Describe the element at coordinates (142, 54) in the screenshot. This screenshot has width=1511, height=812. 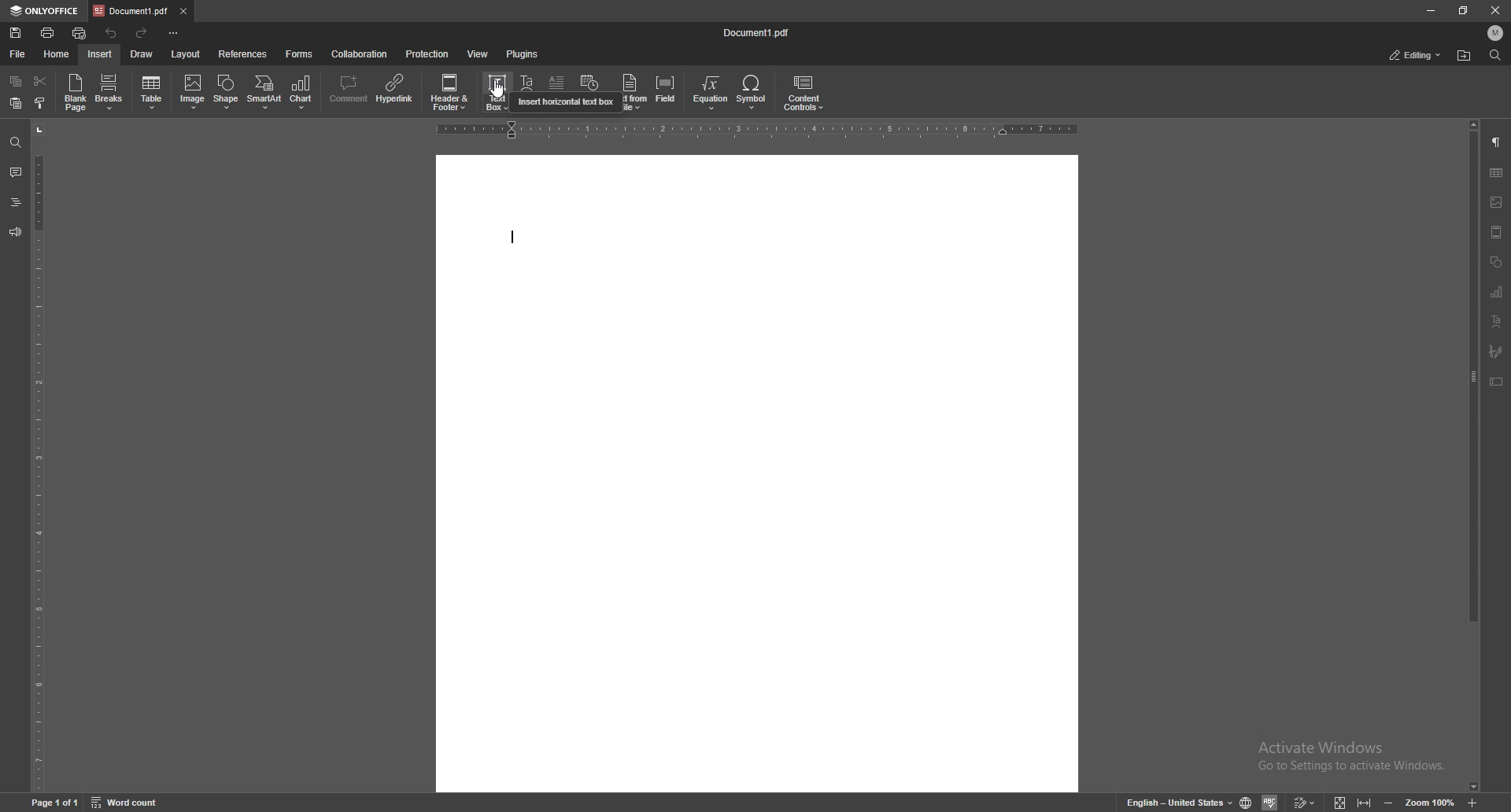
I see `draw` at that location.